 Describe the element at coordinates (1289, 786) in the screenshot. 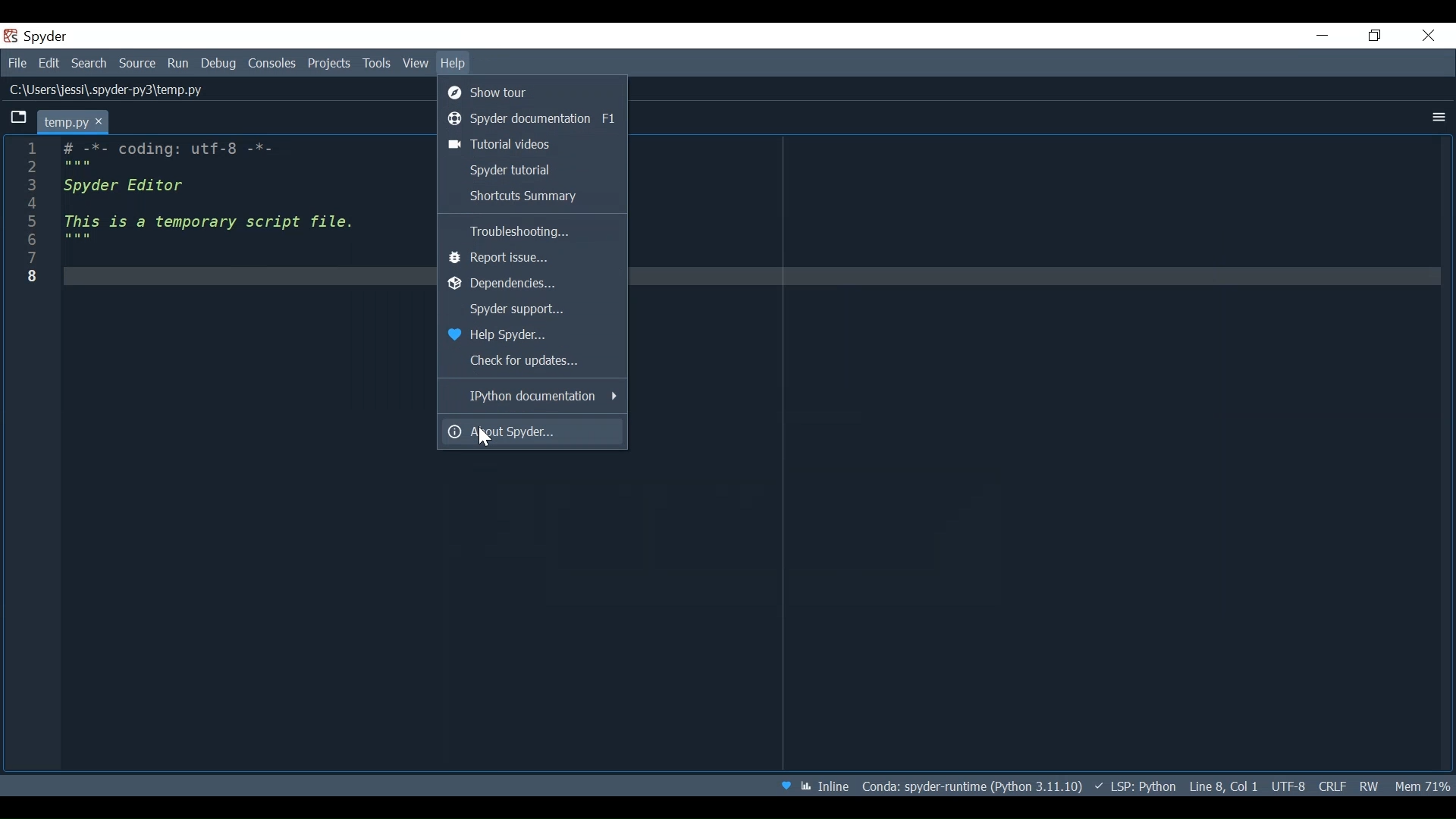

I see `File Encoding` at that location.